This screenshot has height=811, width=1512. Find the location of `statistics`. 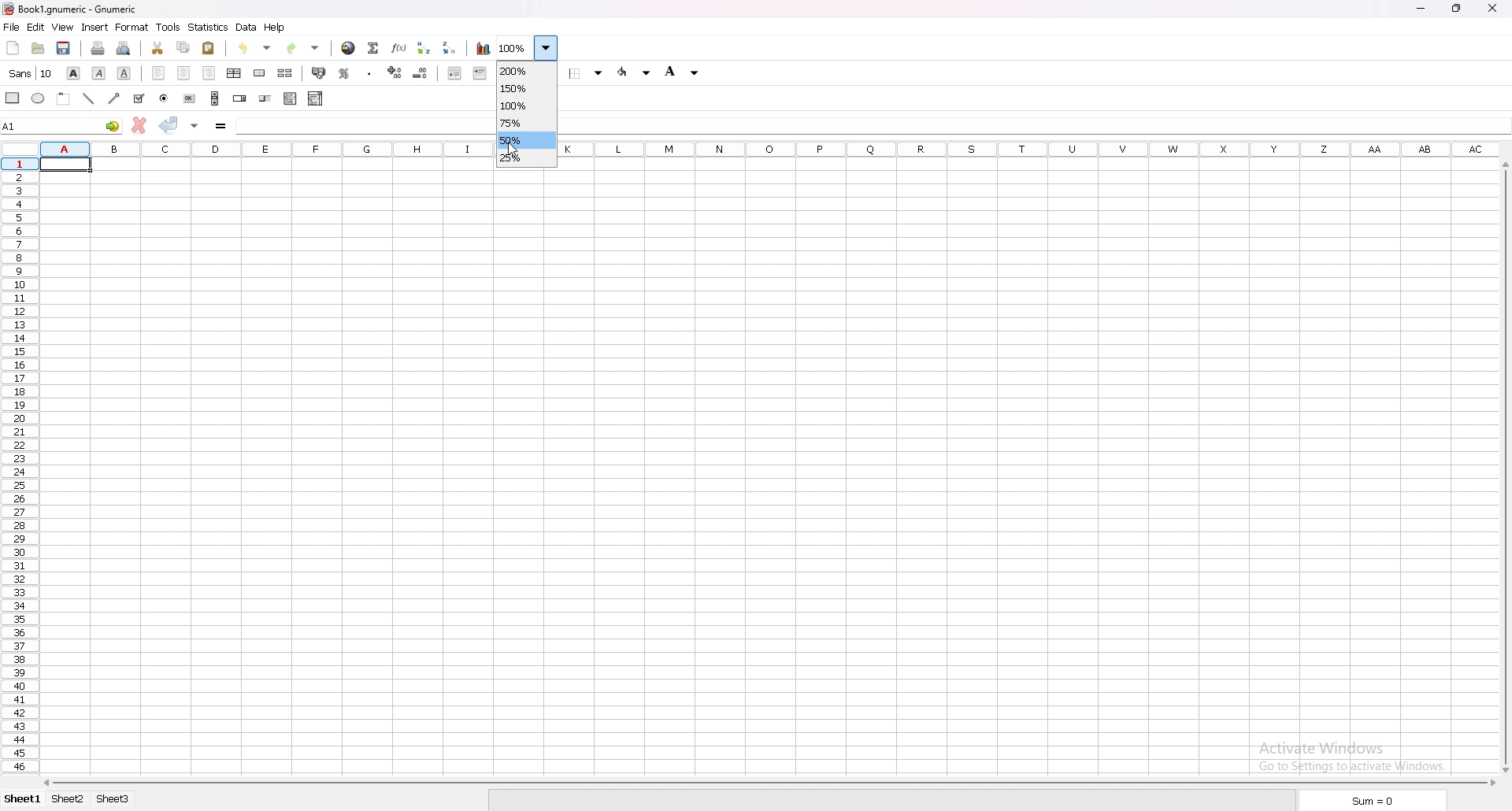

statistics is located at coordinates (209, 27).